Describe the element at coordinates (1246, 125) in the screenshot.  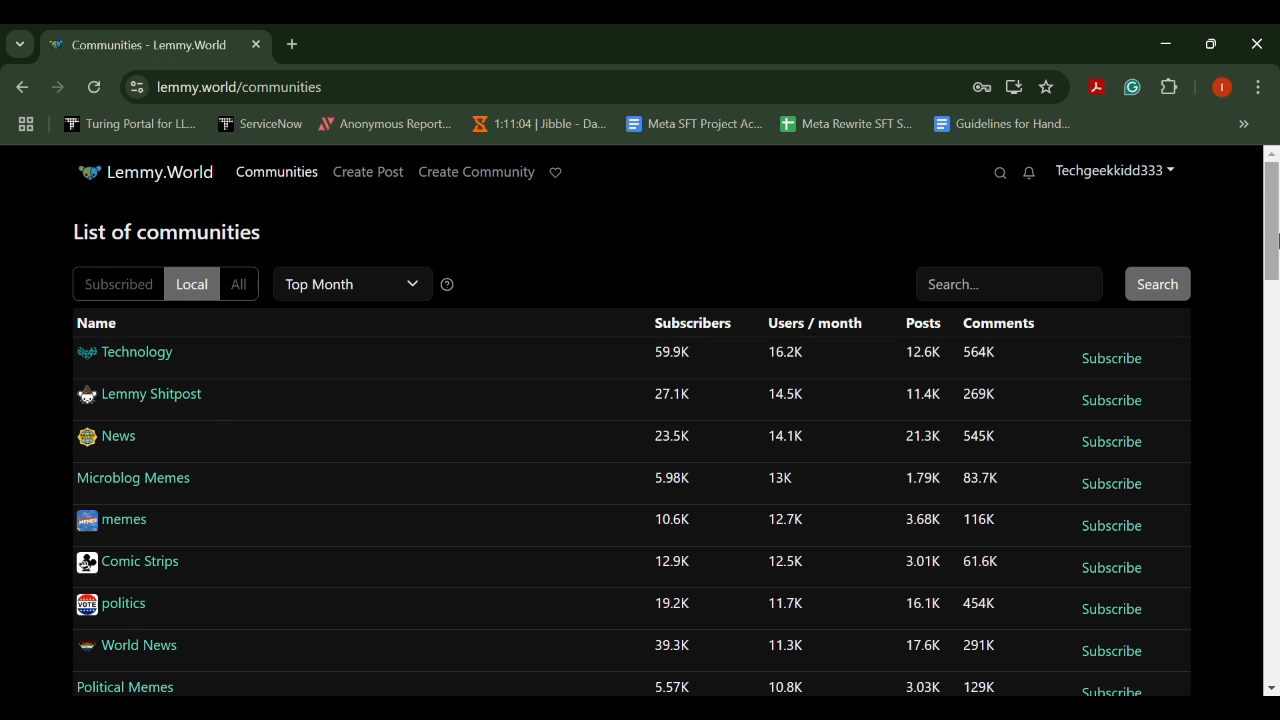
I see `Hidden bookmarks` at that location.